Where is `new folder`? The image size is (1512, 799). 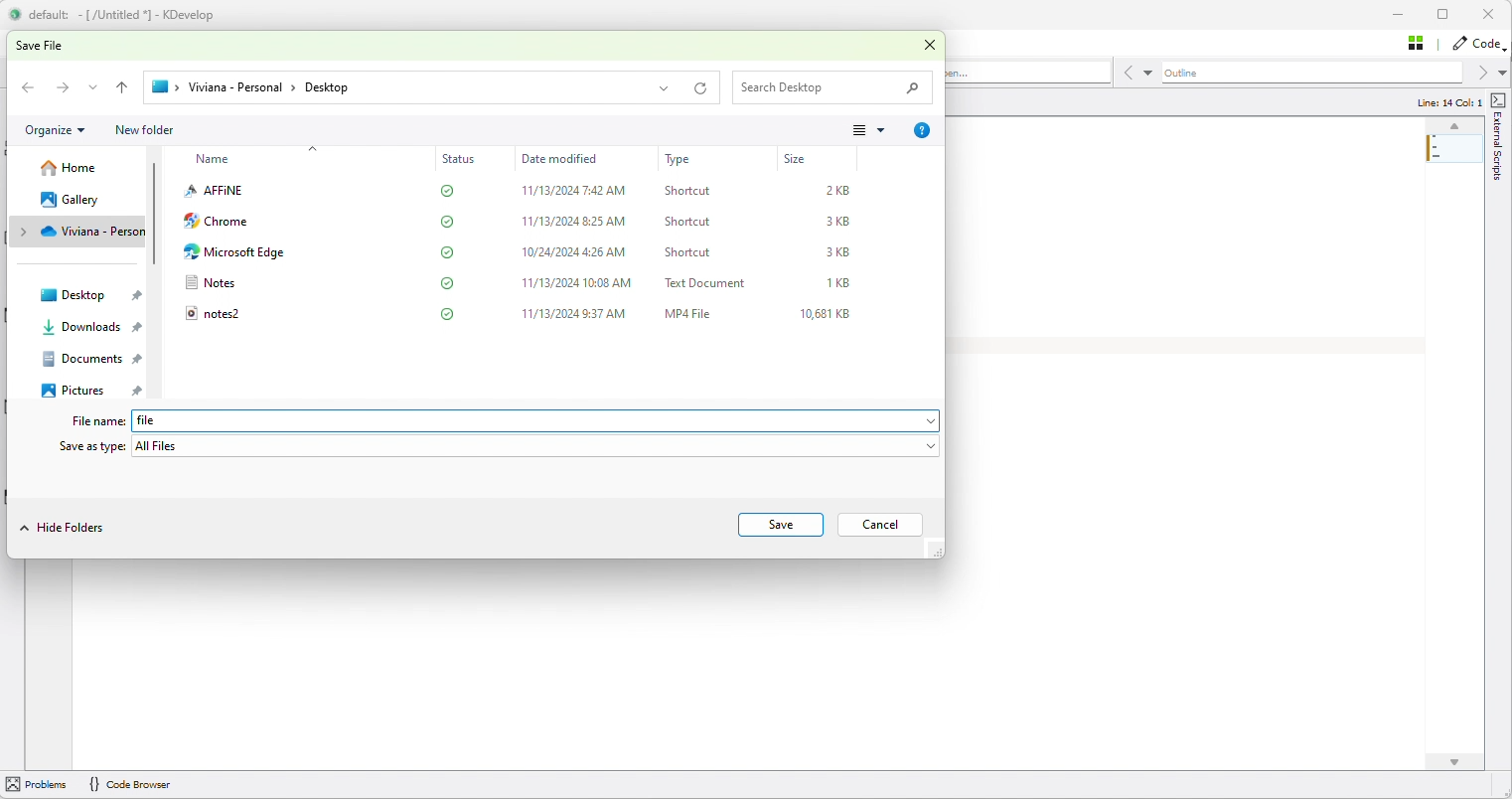
new folder is located at coordinates (144, 131).